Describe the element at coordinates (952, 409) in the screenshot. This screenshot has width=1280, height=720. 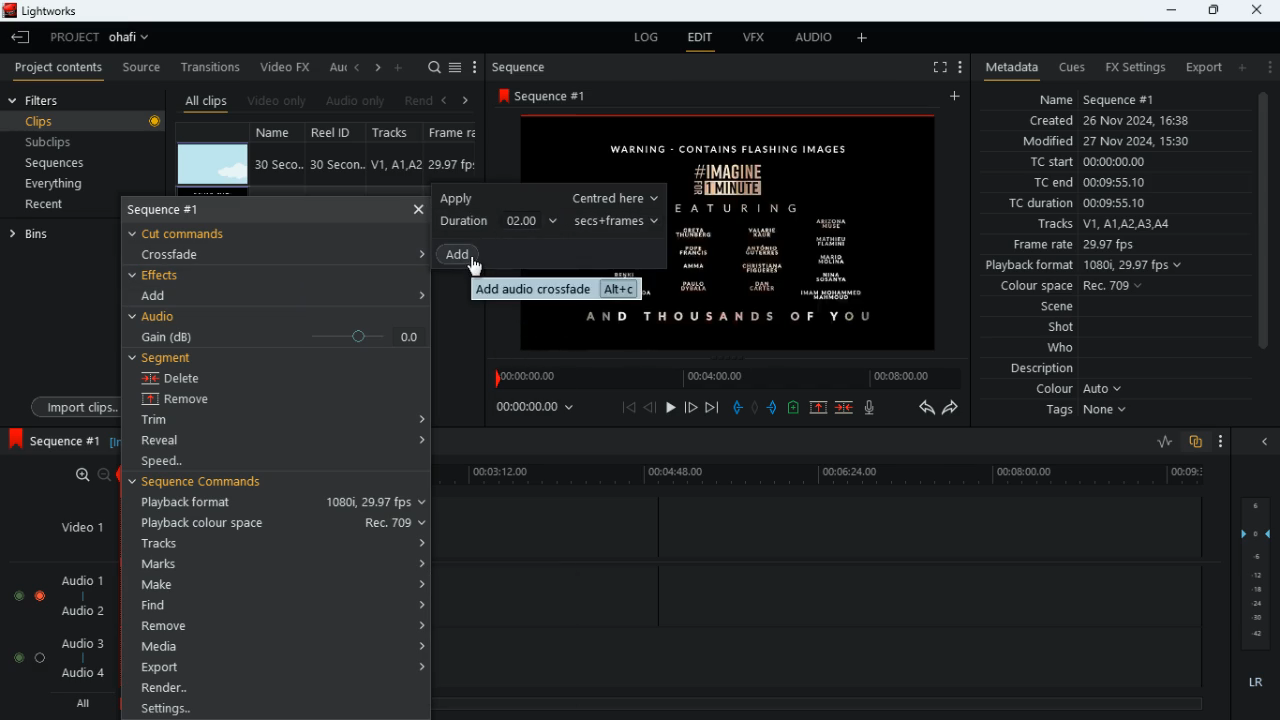
I see `forward` at that location.